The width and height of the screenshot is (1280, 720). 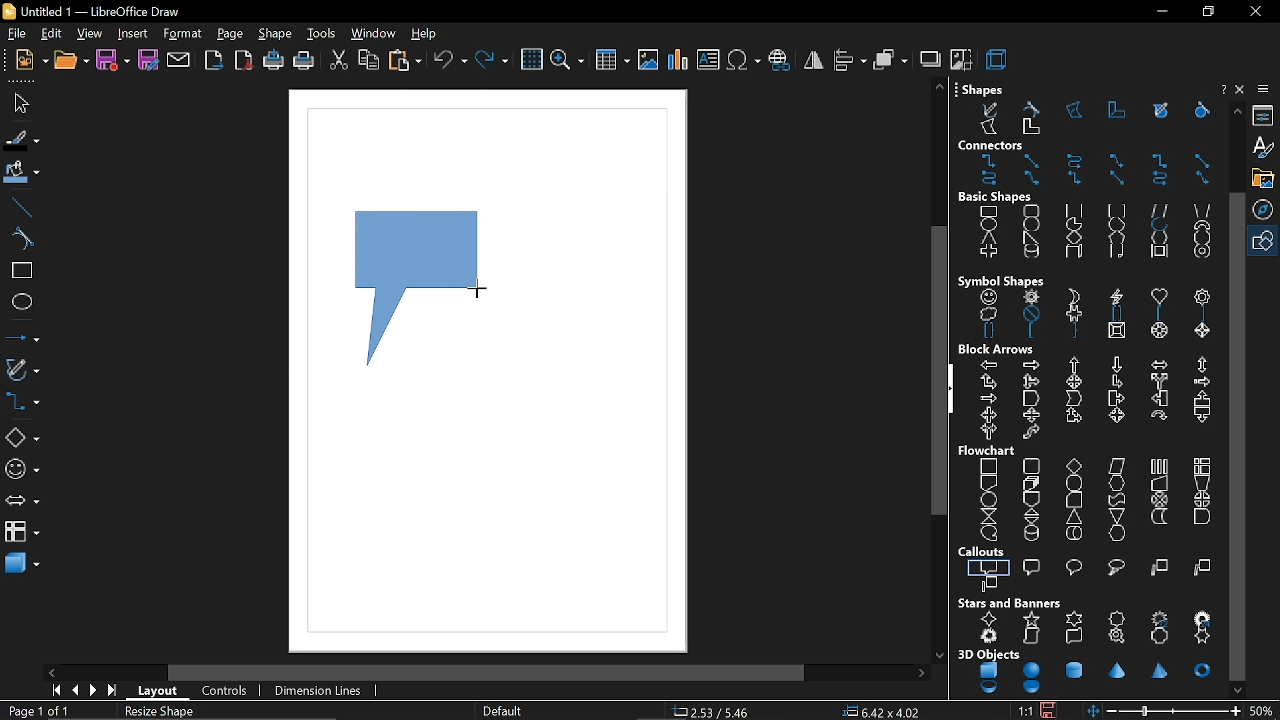 I want to click on ellipse, so click(x=20, y=301).